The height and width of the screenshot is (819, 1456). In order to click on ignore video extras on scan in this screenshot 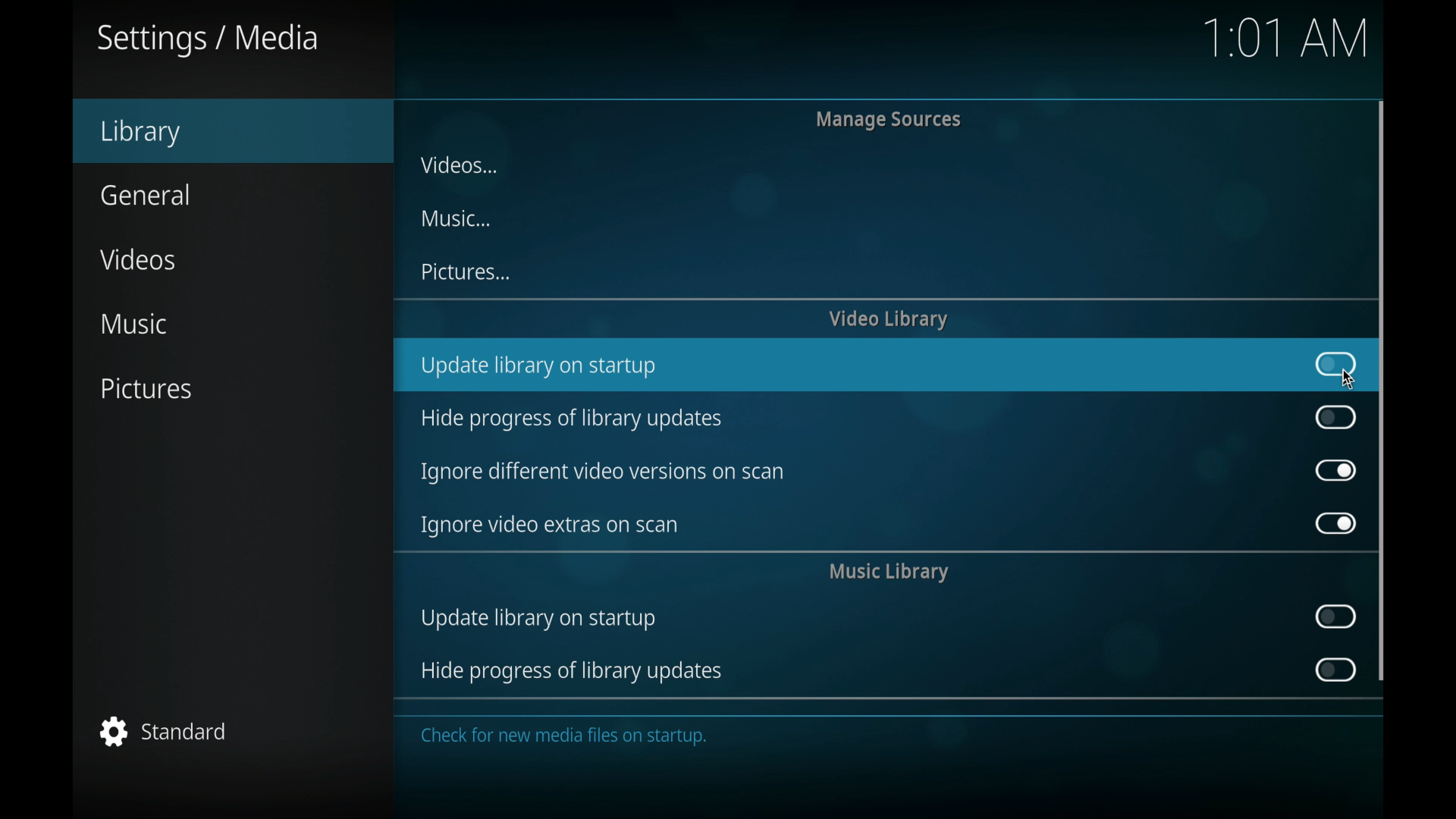, I will do `click(550, 526)`.